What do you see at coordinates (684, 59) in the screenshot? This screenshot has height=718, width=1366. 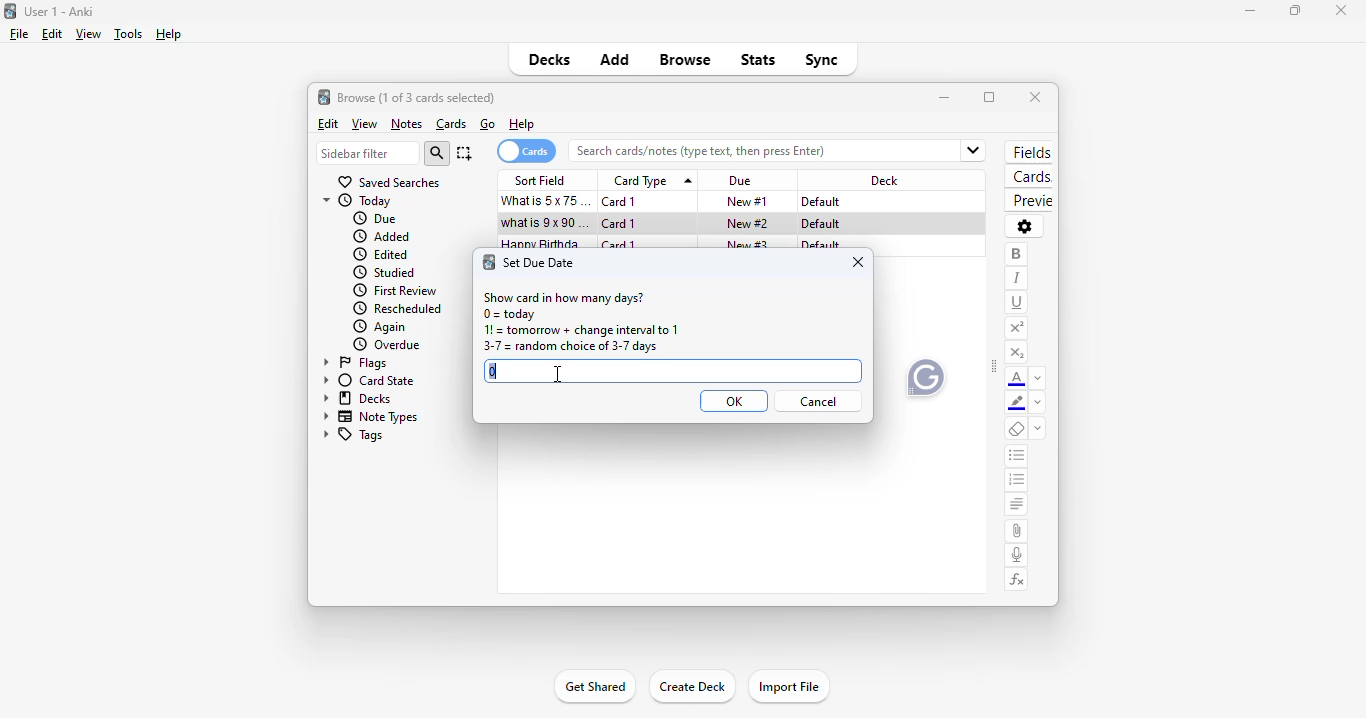 I see `browse` at bounding box center [684, 59].